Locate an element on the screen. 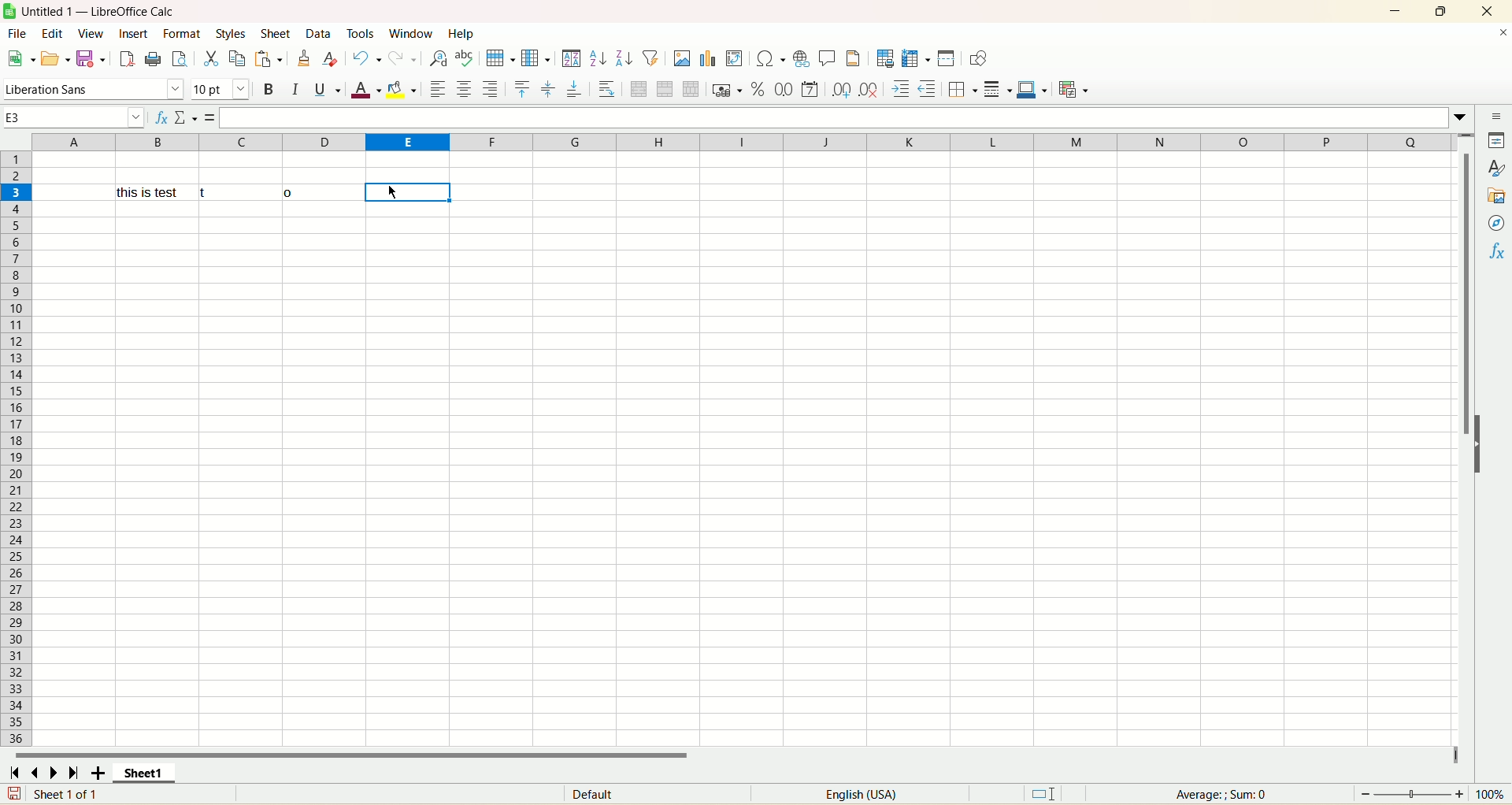  function is located at coordinates (1495, 256).